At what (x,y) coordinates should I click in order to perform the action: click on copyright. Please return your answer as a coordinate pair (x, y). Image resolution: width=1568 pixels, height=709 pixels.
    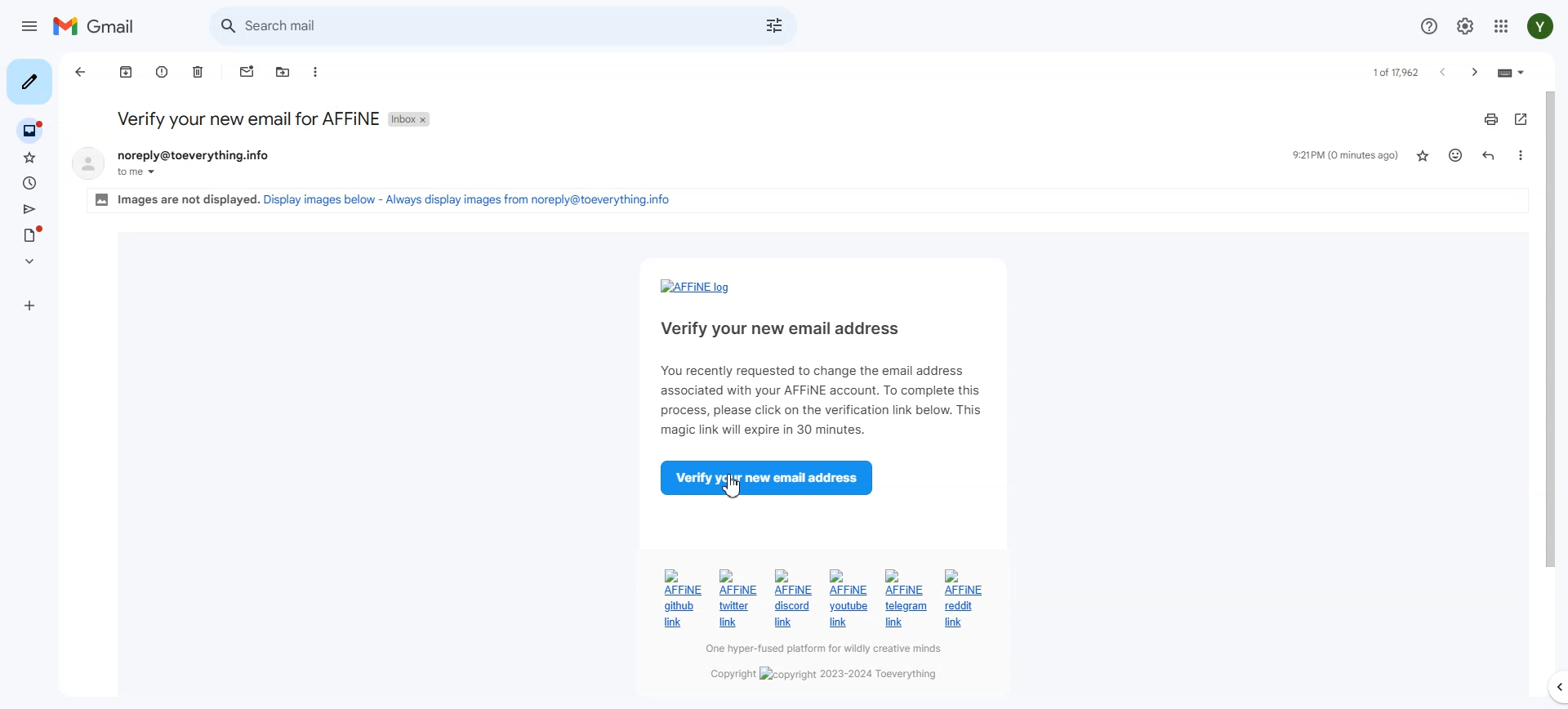
    Looking at the image, I should click on (819, 673).